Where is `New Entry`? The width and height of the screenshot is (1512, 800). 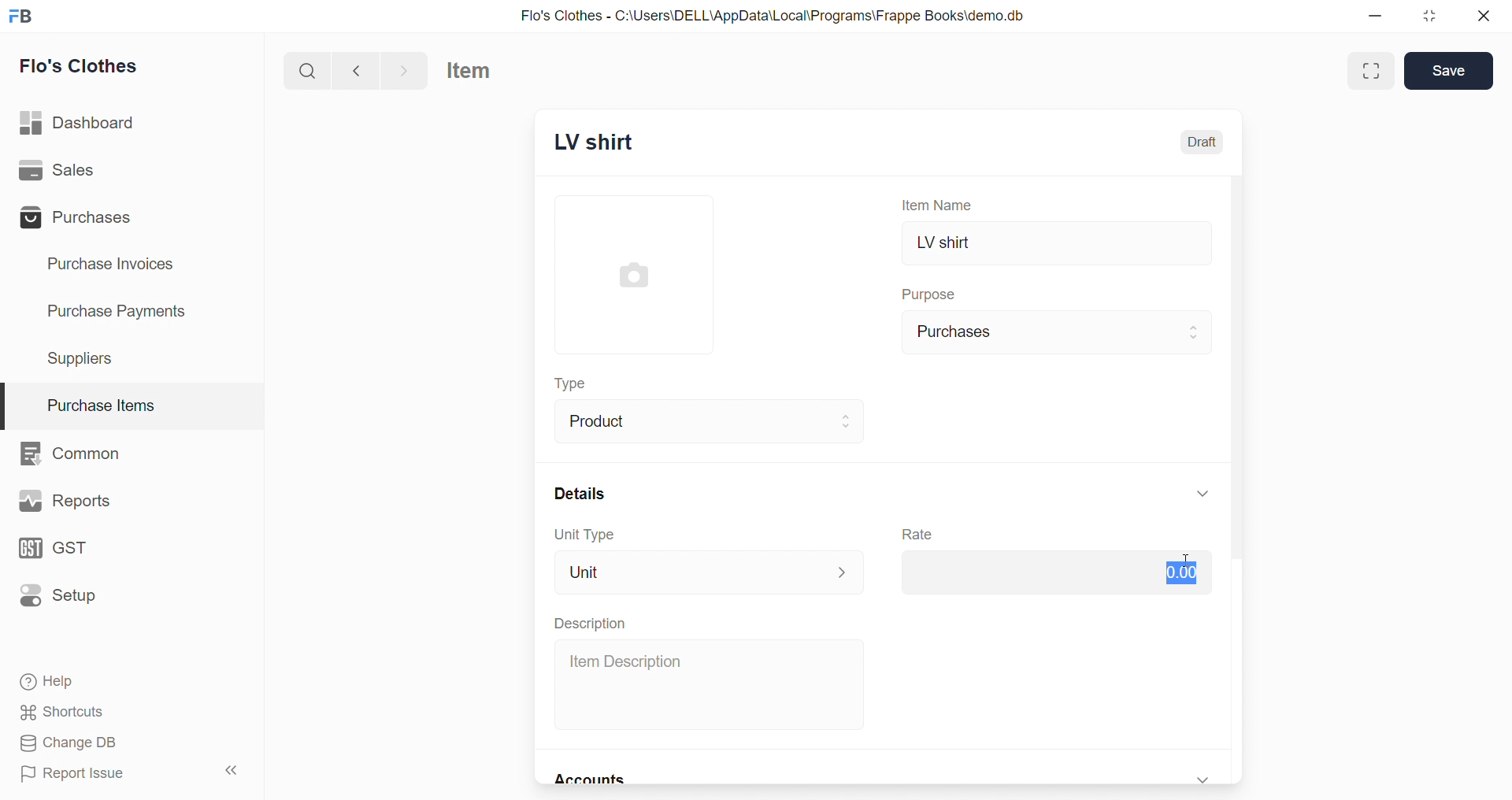
New Entry is located at coordinates (617, 144).